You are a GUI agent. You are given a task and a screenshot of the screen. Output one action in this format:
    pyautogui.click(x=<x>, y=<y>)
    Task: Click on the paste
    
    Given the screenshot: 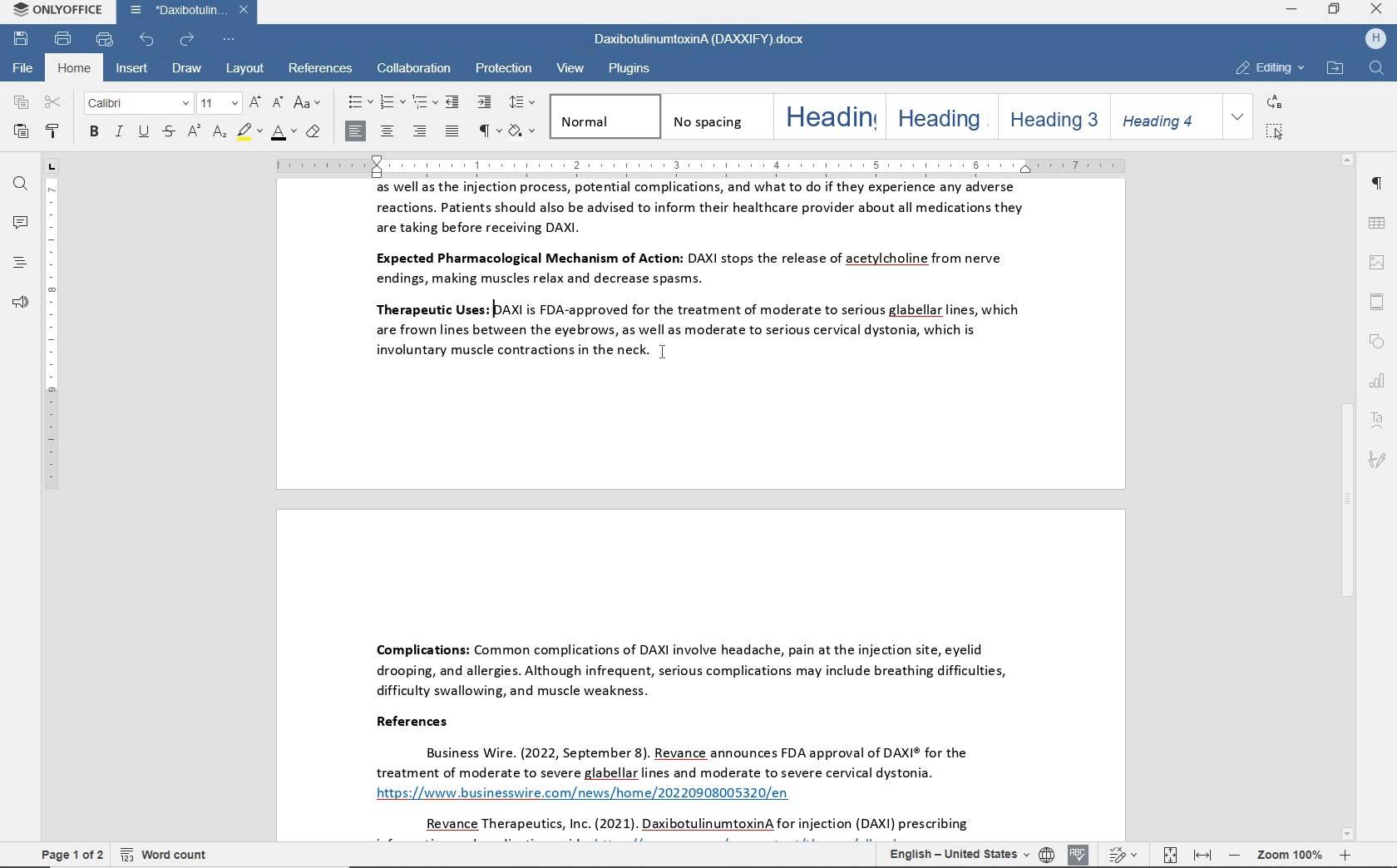 What is the action you would take?
    pyautogui.click(x=22, y=133)
    